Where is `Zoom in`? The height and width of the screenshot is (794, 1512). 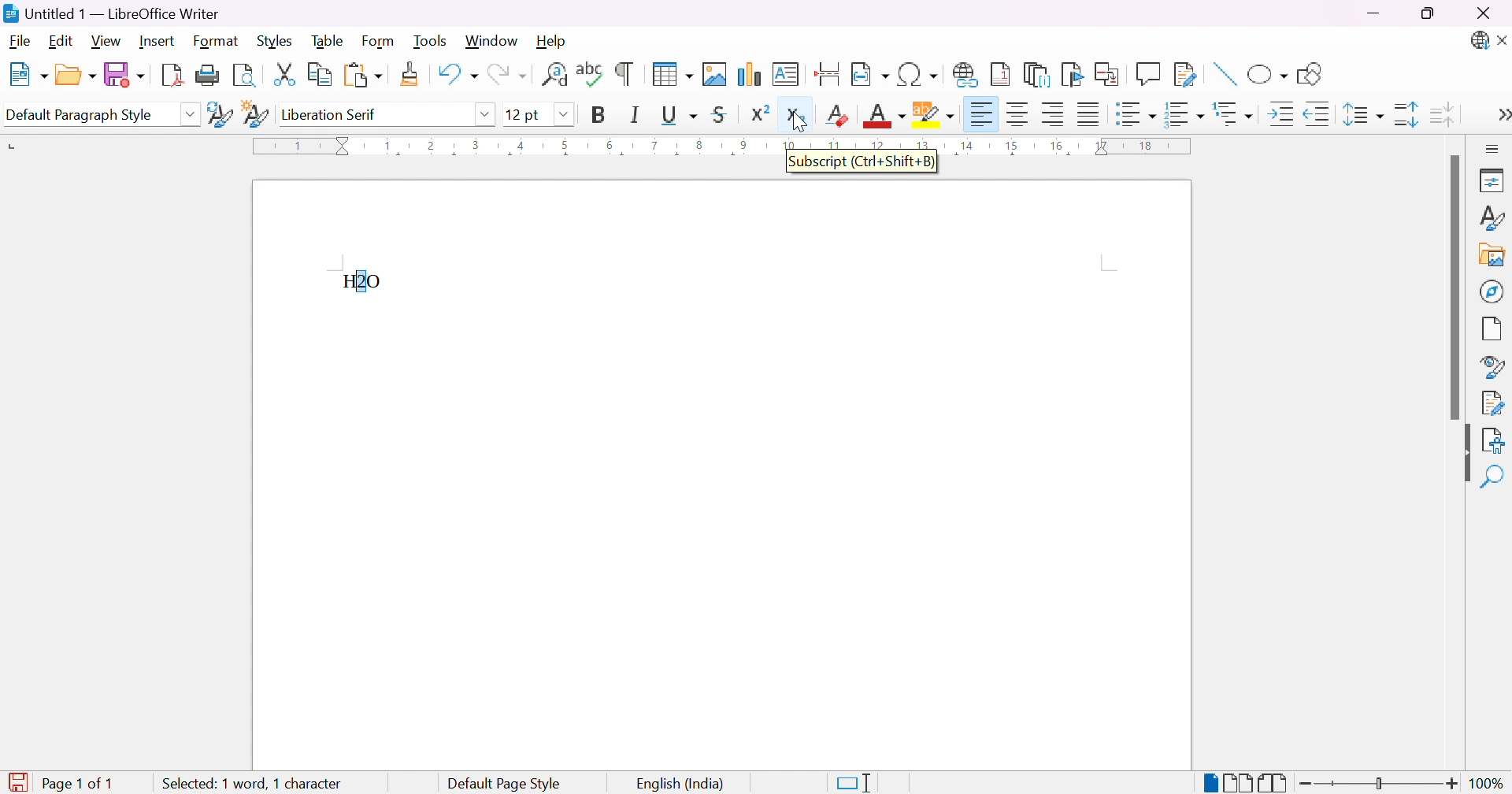
Zoom in is located at coordinates (1451, 785).